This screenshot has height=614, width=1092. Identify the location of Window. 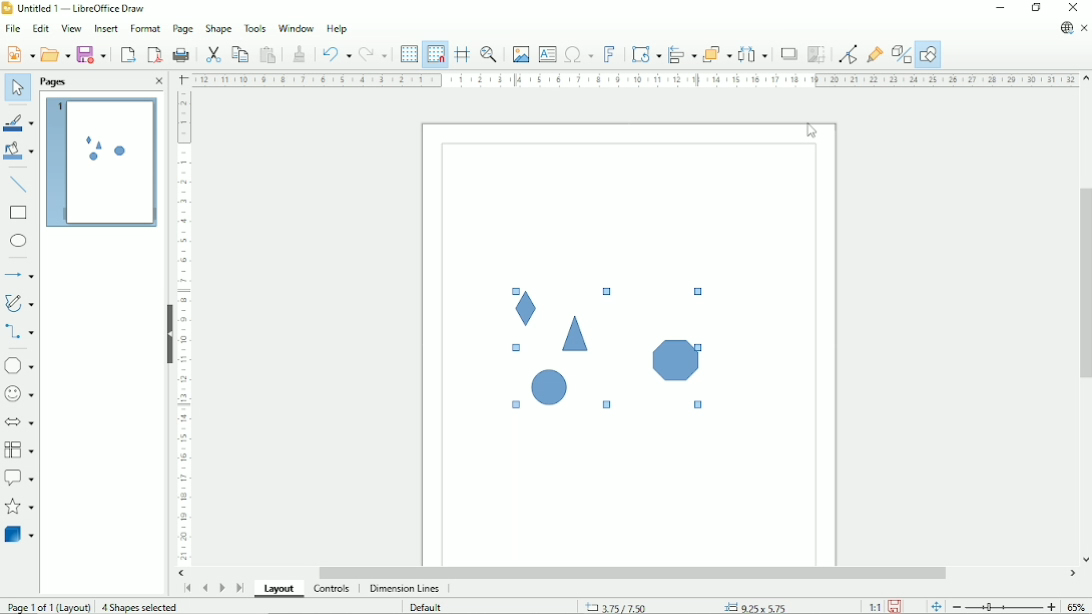
(296, 27).